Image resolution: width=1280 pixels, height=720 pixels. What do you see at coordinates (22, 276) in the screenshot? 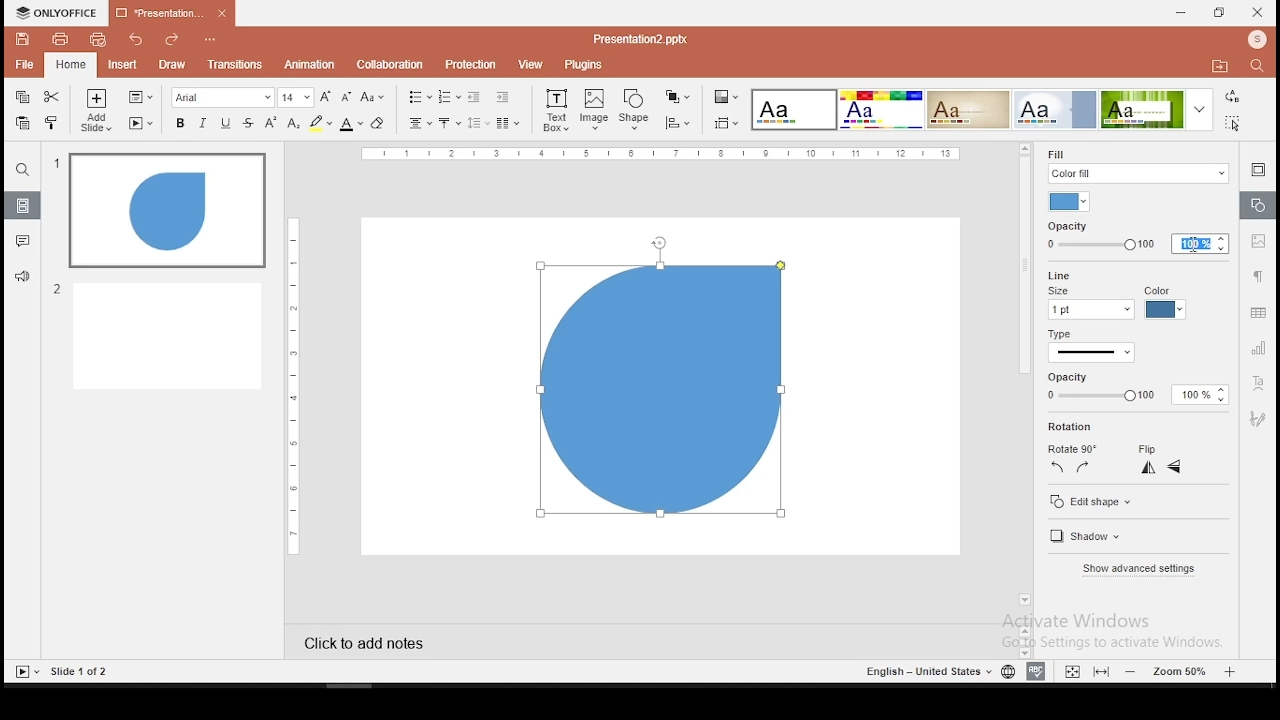
I see `support and feedback` at bounding box center [22, 276].